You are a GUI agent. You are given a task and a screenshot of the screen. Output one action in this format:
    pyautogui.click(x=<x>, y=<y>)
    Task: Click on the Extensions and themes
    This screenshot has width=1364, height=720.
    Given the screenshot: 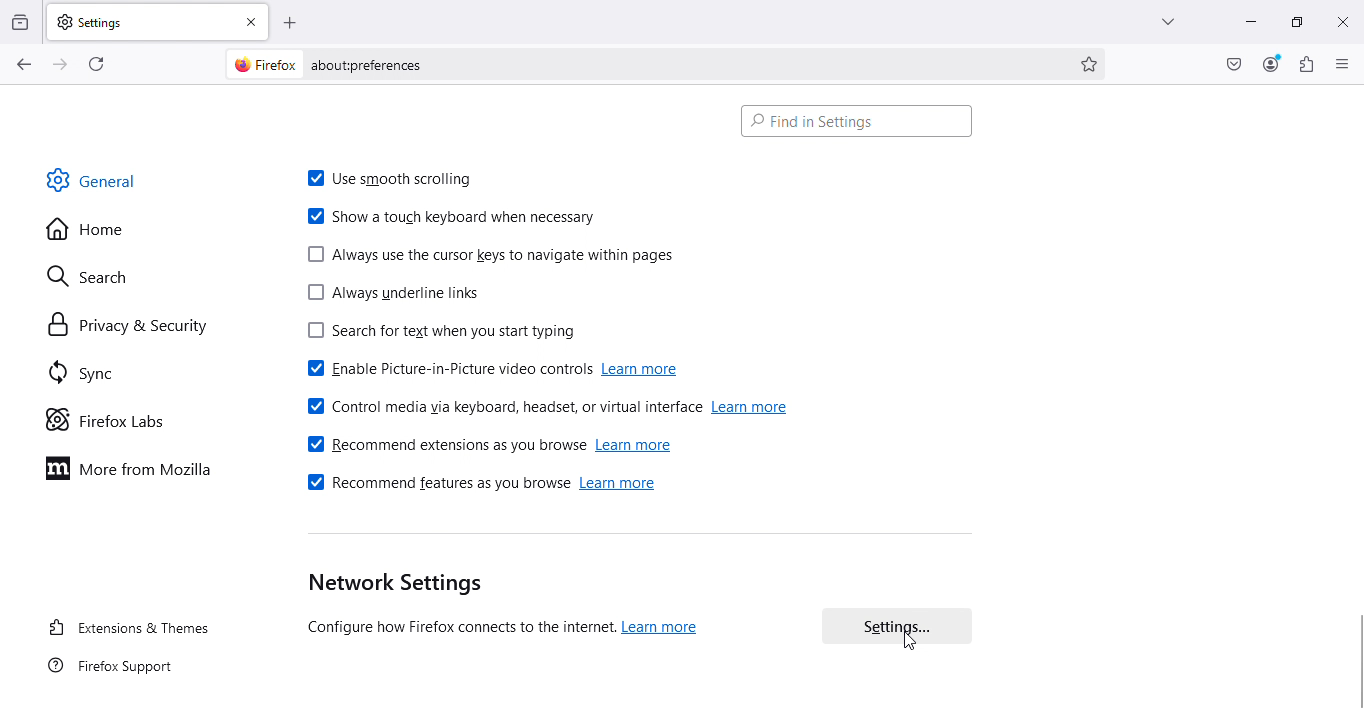 What is the action you would take?
    pyautogui.click(x=129, y=630)
    